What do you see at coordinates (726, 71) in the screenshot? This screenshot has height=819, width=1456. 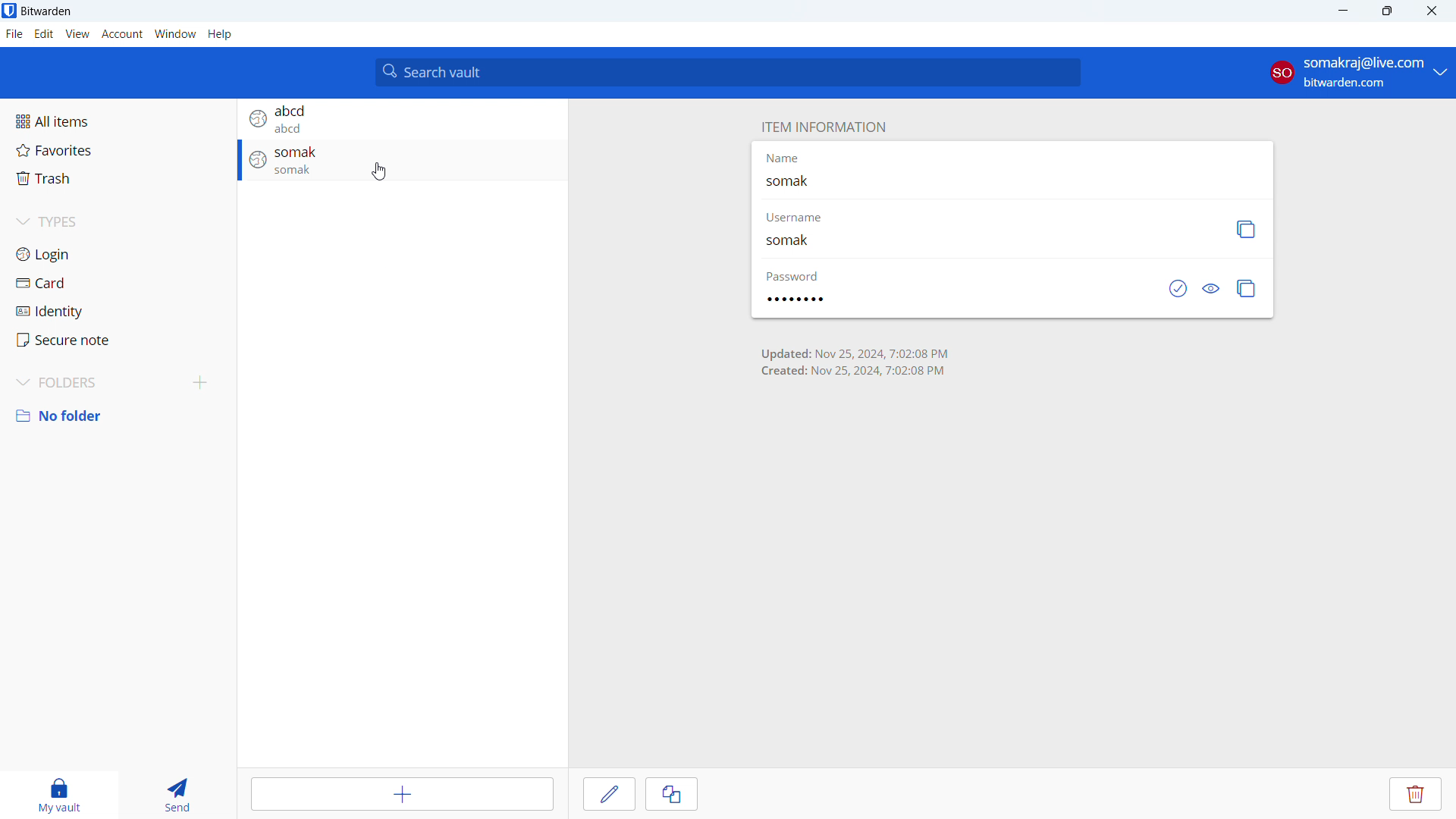 I see `search vault` at bounding box center [726, 71].